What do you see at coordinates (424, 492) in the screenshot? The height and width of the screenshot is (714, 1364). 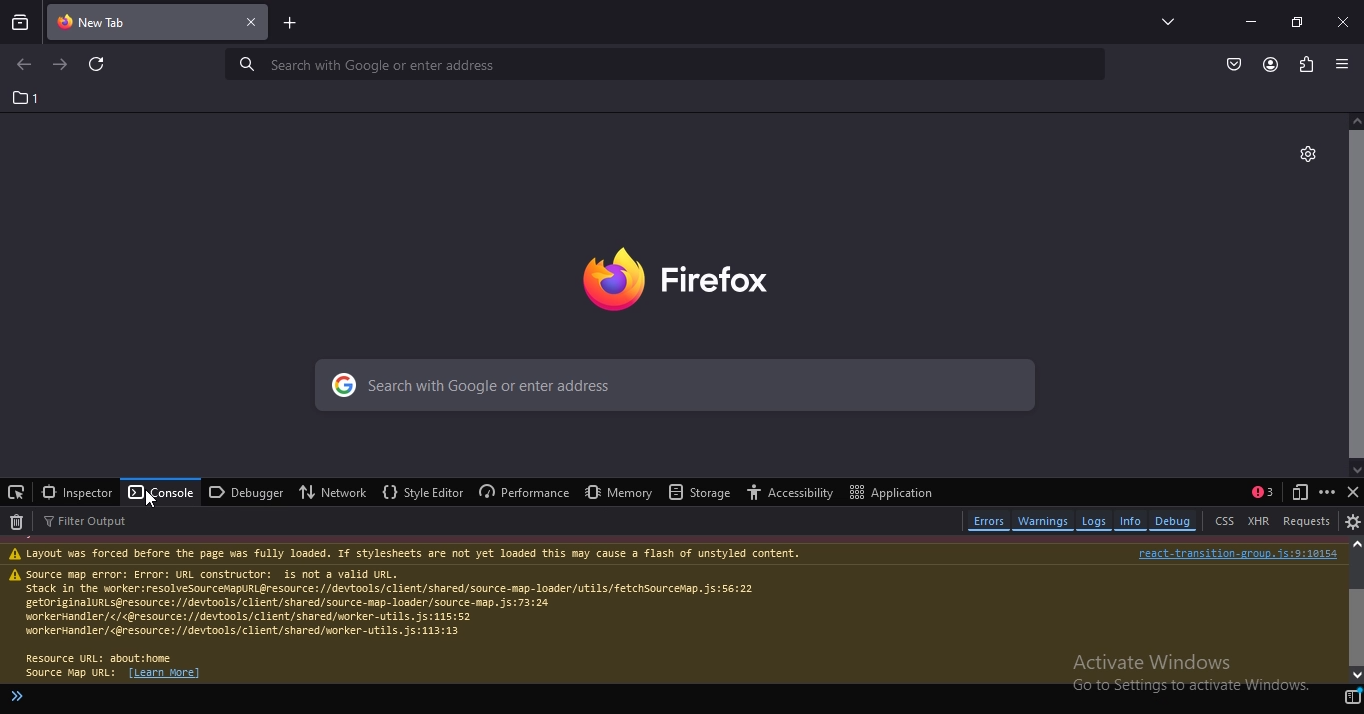 I see `style editor` at bounding box center [424, 492].